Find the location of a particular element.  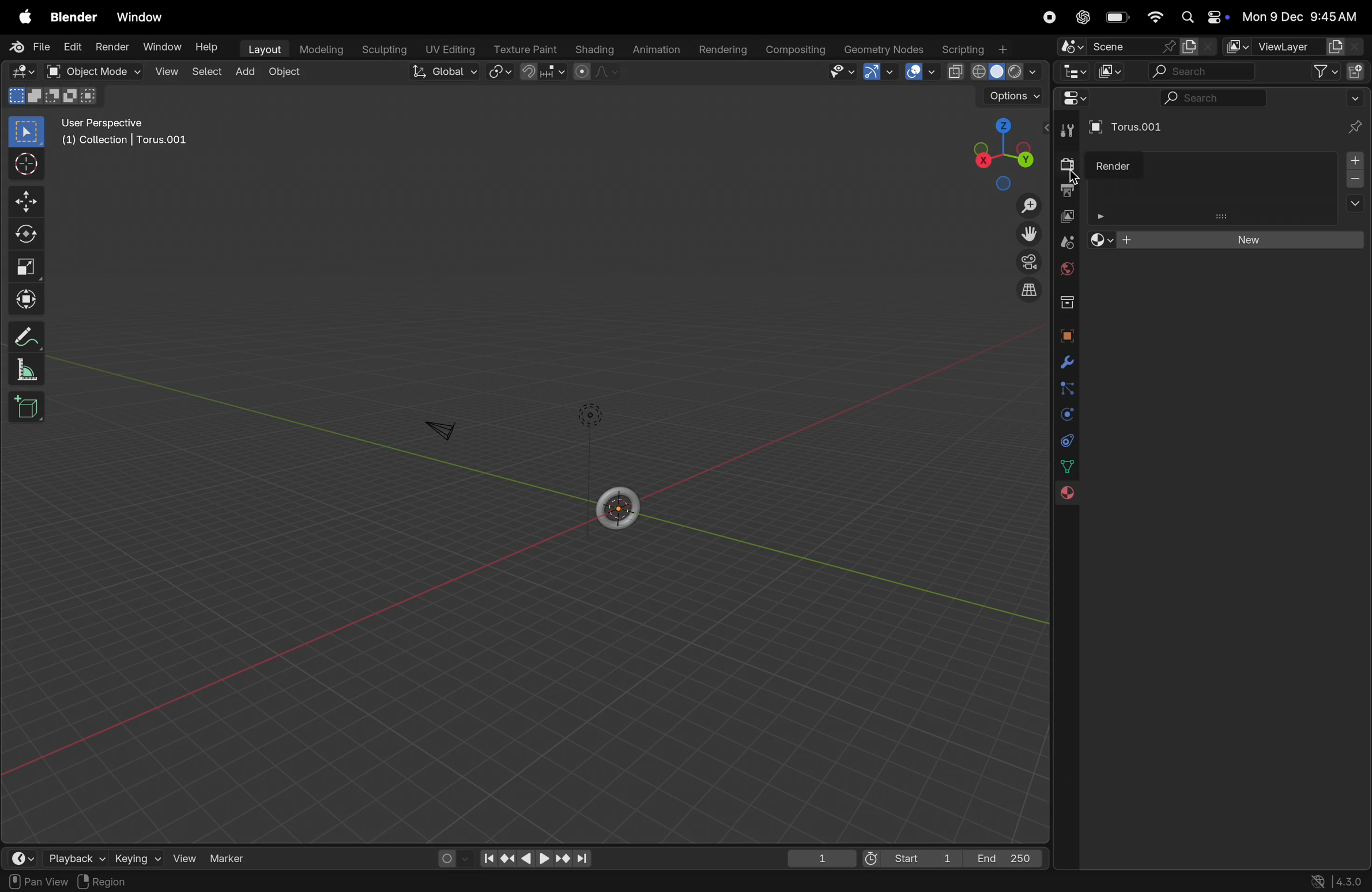

add is located at coordinates (244, 71).